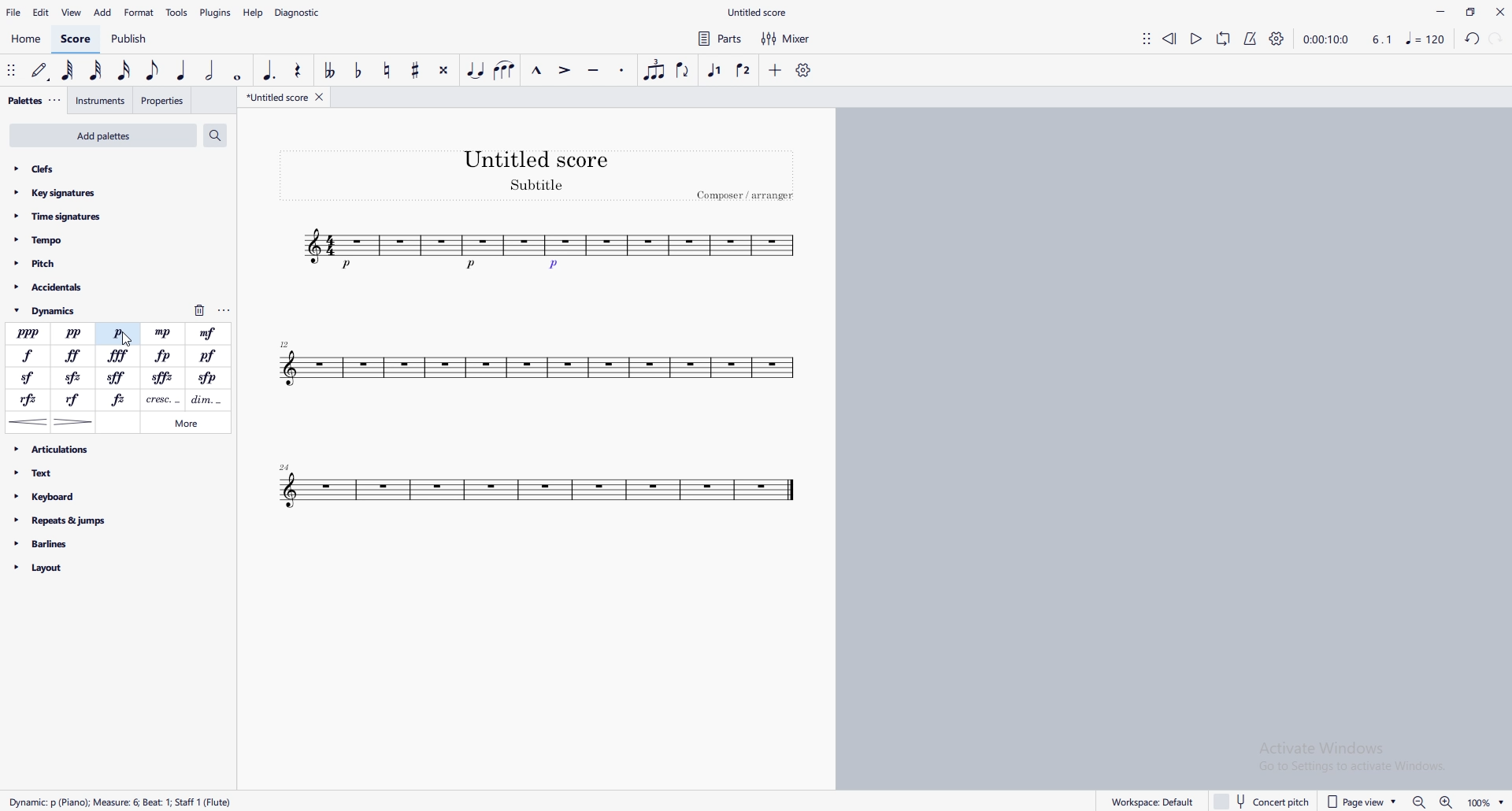 Image resolution: width=1512 pixels, height=811 pixels. What do you see at coordinates (102, 168) in the screenshot?
I see `clefs` at bounding box center [102, 168].